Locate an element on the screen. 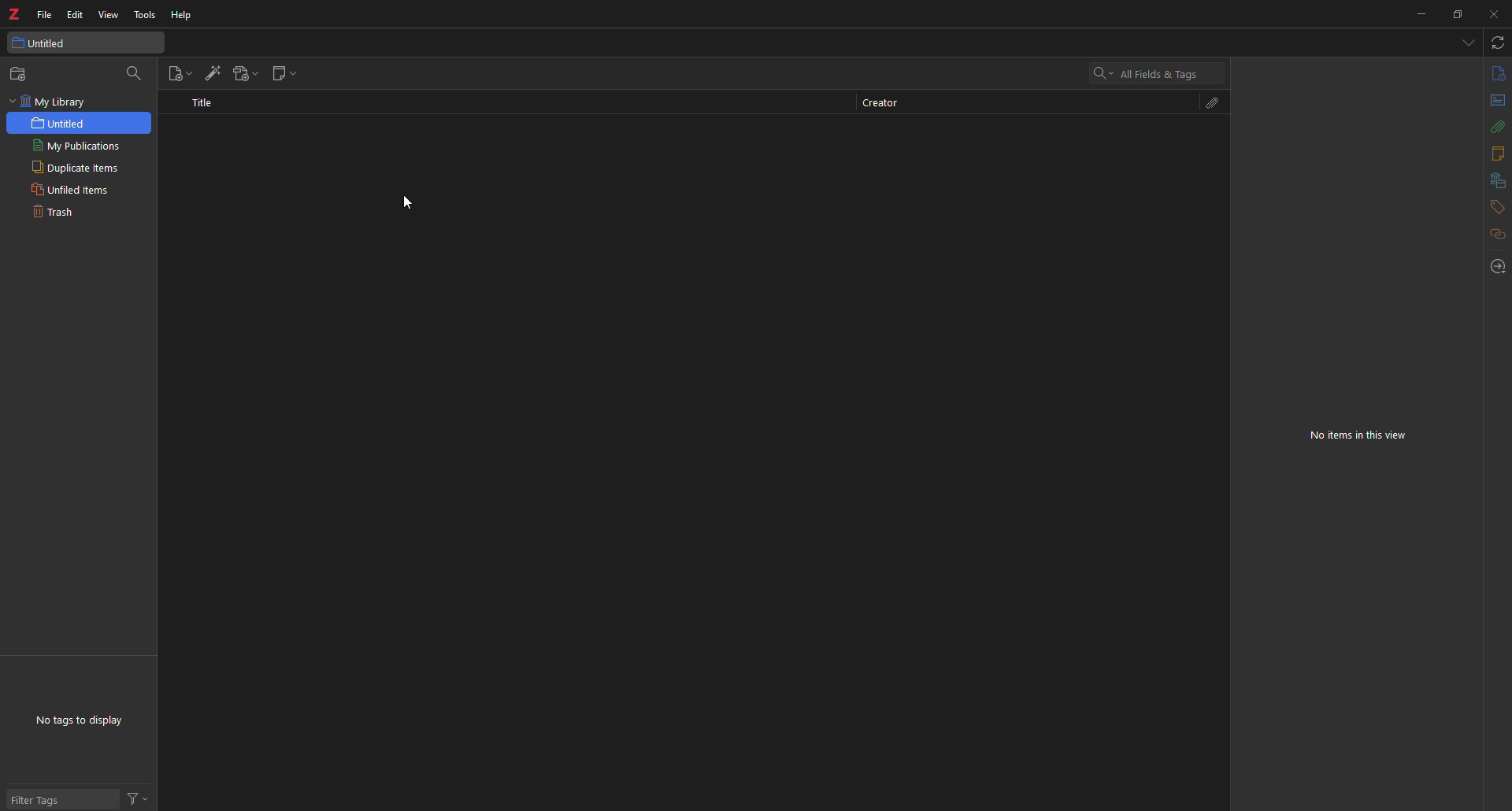  search is located at coordinates (138, 72).